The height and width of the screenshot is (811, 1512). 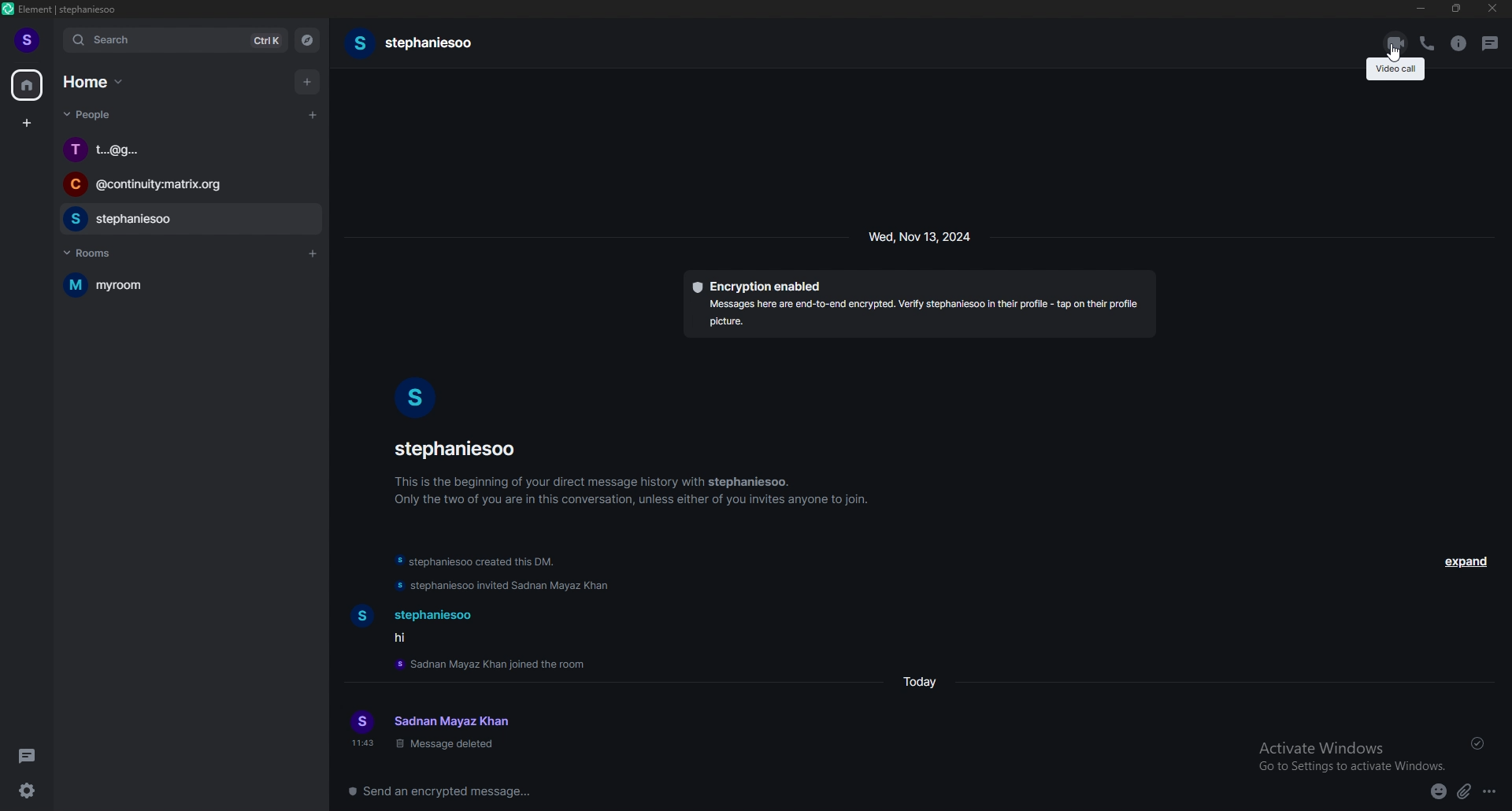 What do you see at coordinates (455, 732) in the screenshot?
I see `text` at bounding box center [455, 732].